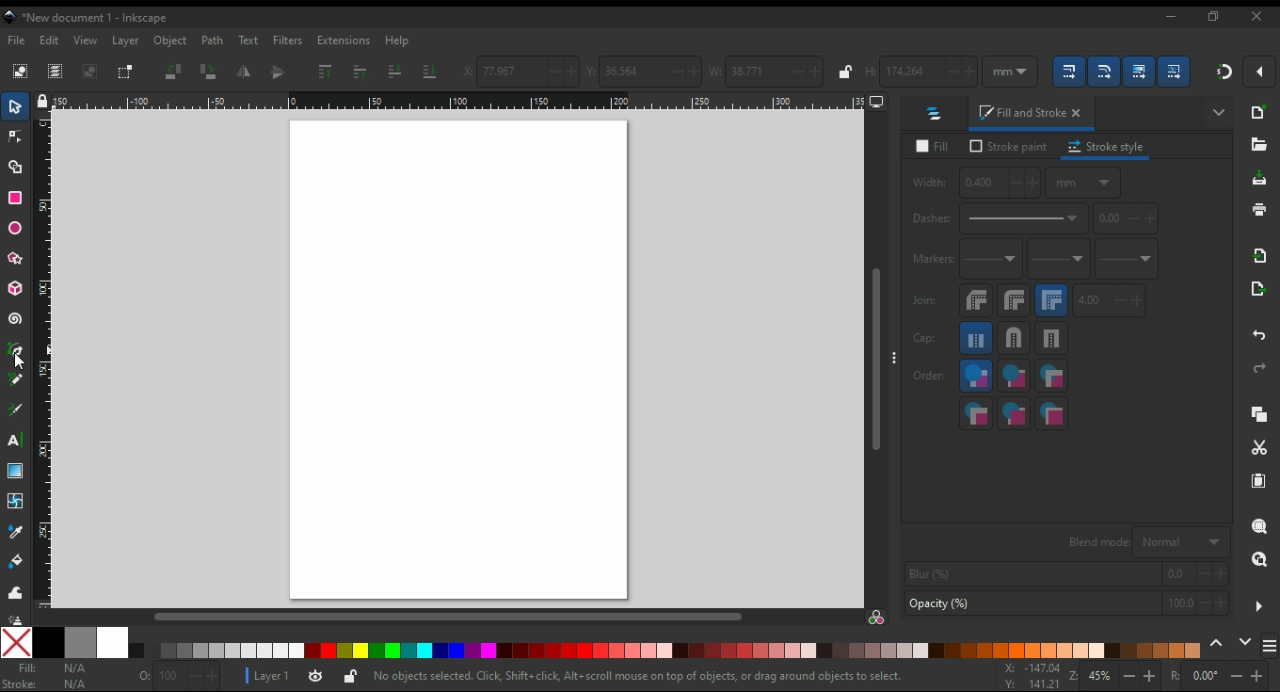 Image resolution: width=1280 pixels, height=692 pixels. Describe the element at coordinates (976, 413) in the screenshot. I see `markers, fills, stroke` at that location.